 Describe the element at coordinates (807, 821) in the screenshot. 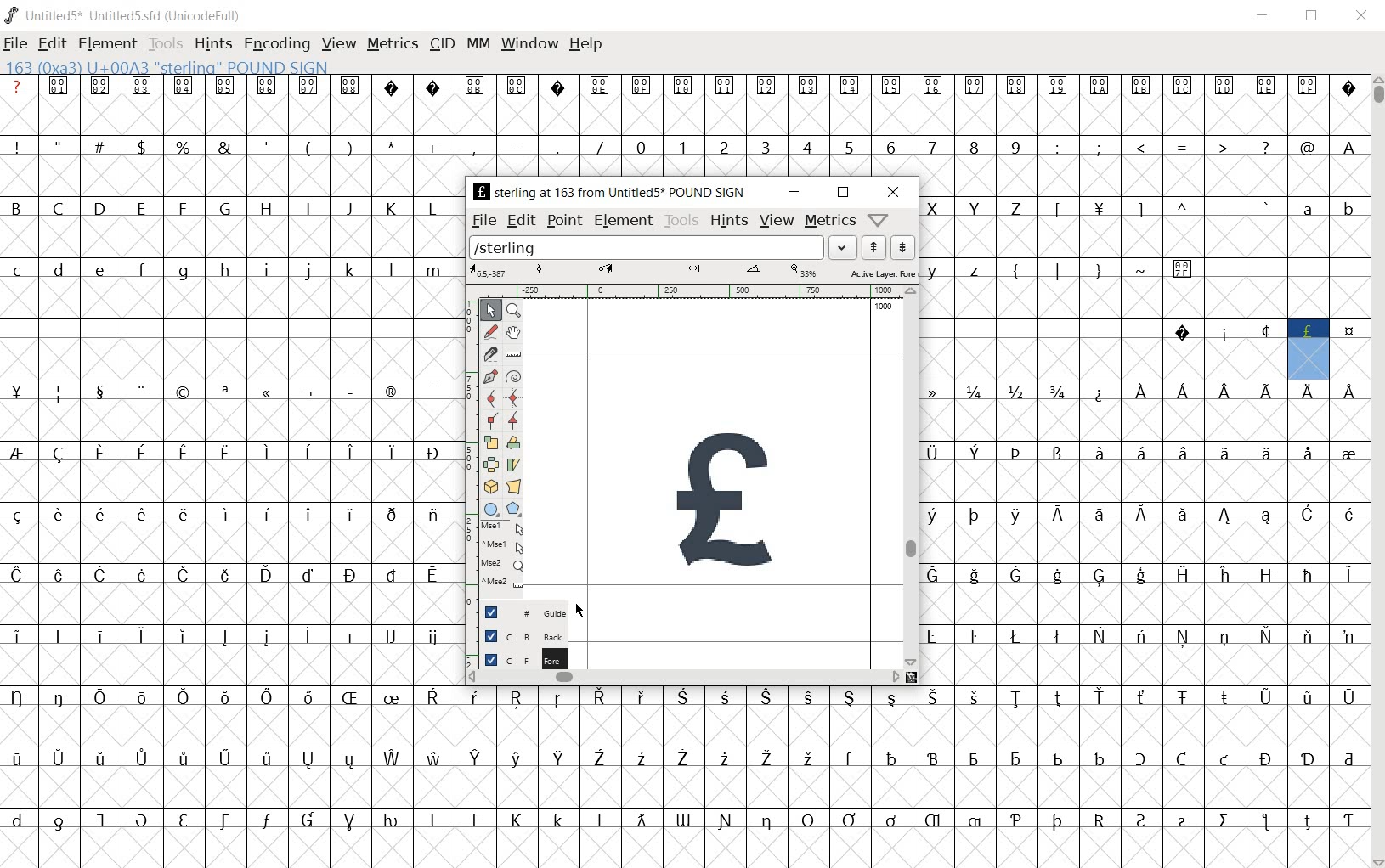

I see `Symbol` at that location.